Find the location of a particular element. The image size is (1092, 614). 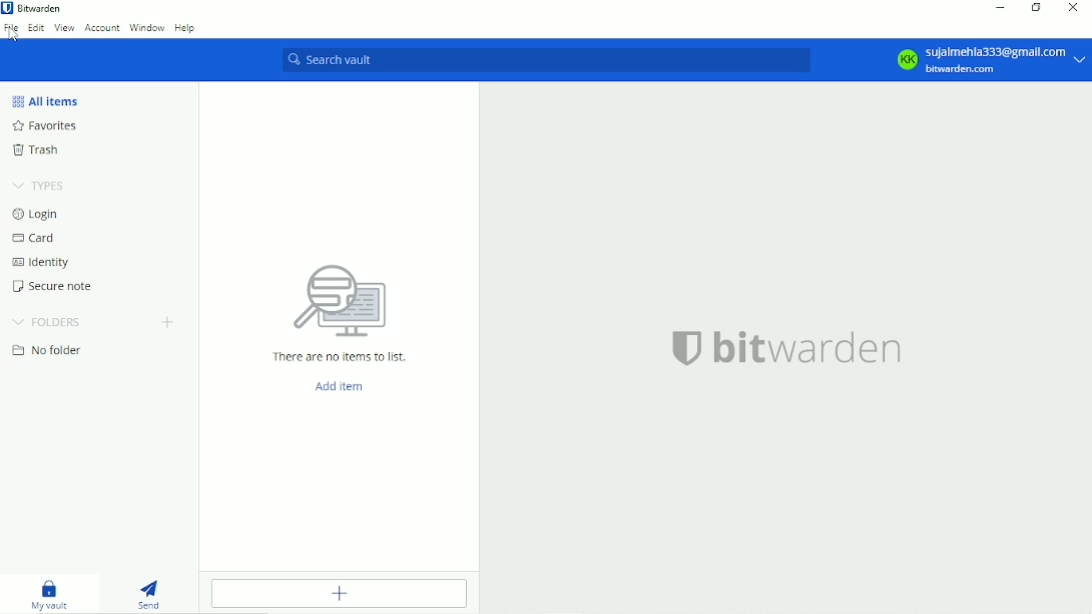

Add item  is located at coordinates (338, 385).